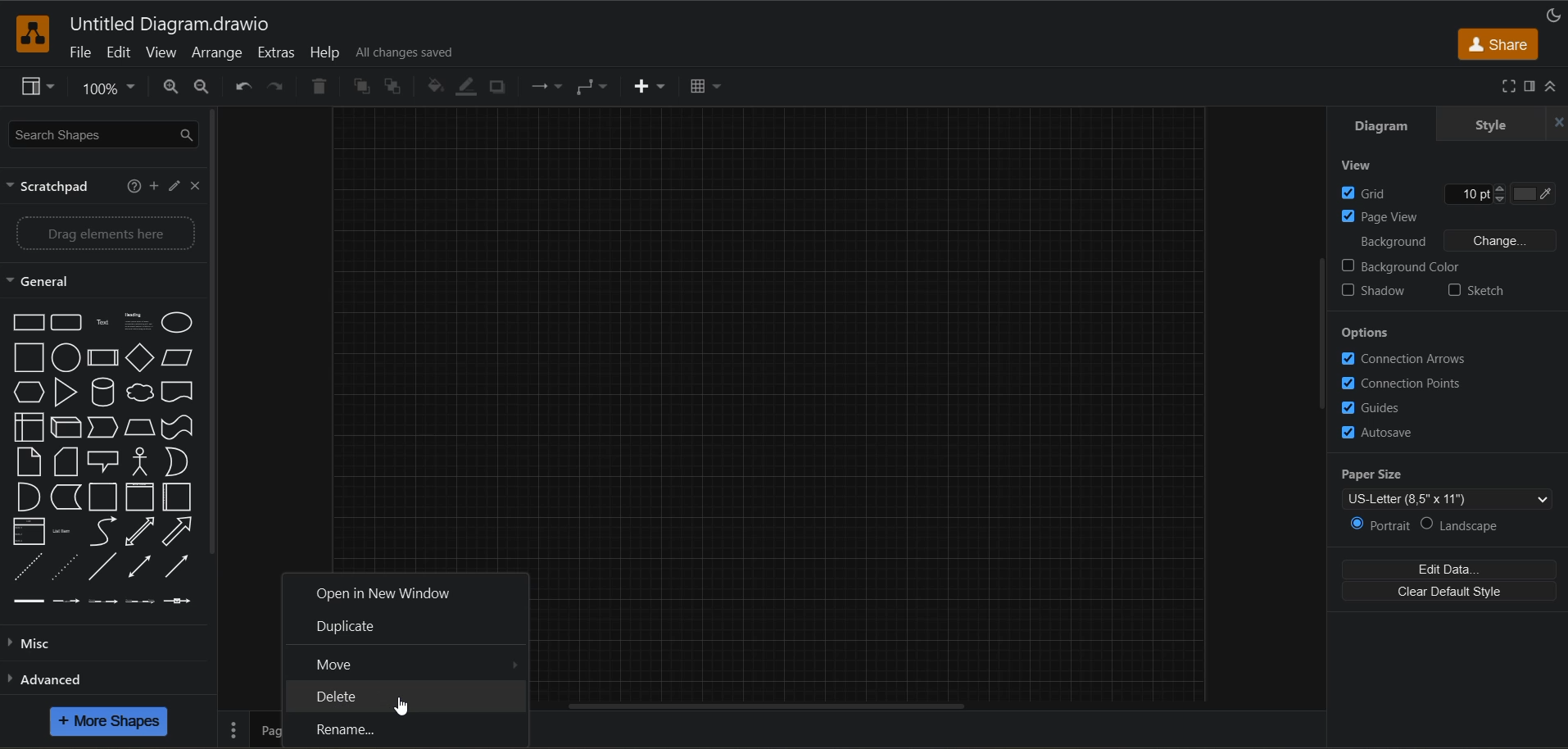 This screenshot has height=749, width=1568. What do you see at coordinates (49, 280) in the screenshot?
I see `general` at bounding box center [49, 280].